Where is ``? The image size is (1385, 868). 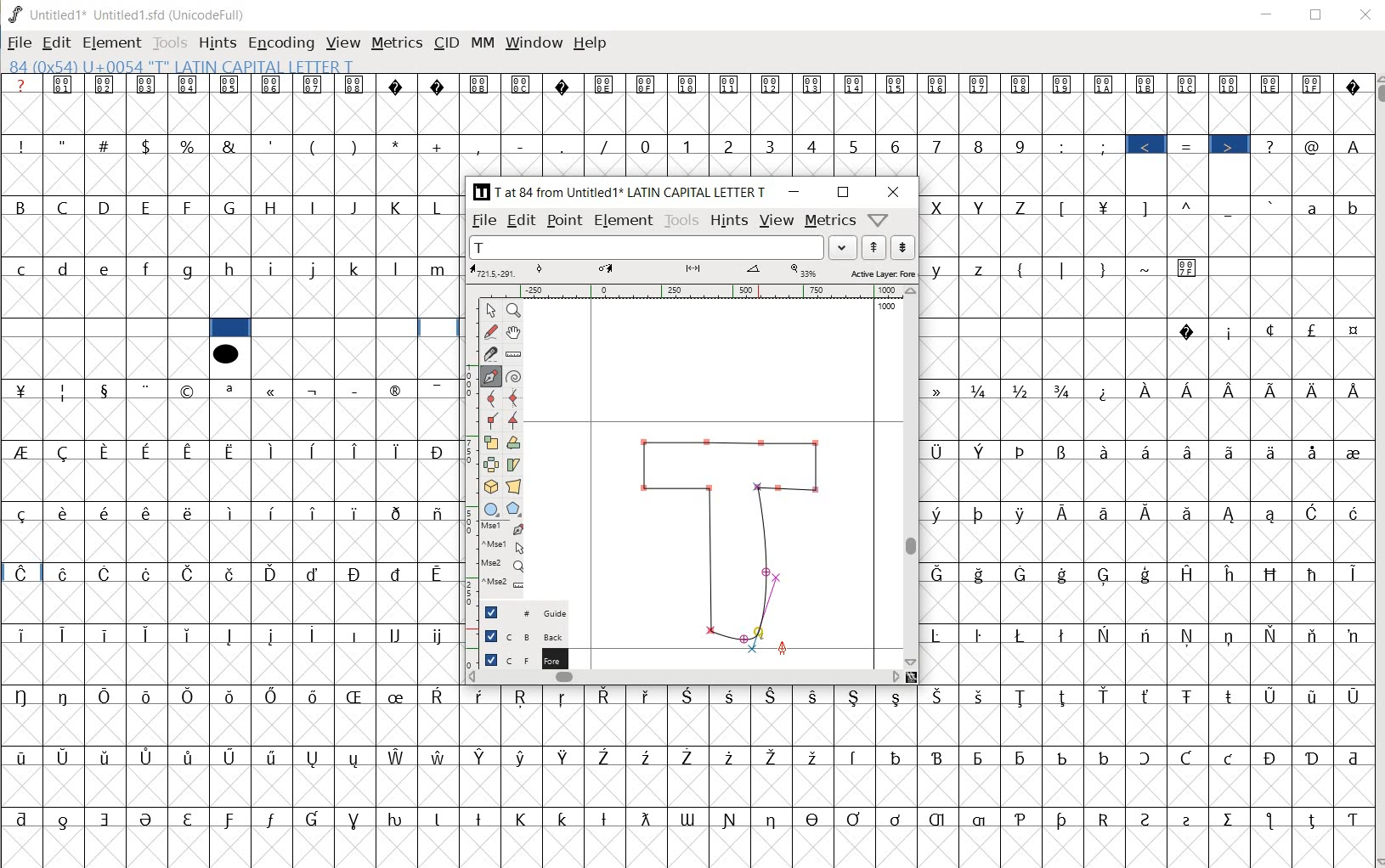
 is located at coordinates (356, 757).